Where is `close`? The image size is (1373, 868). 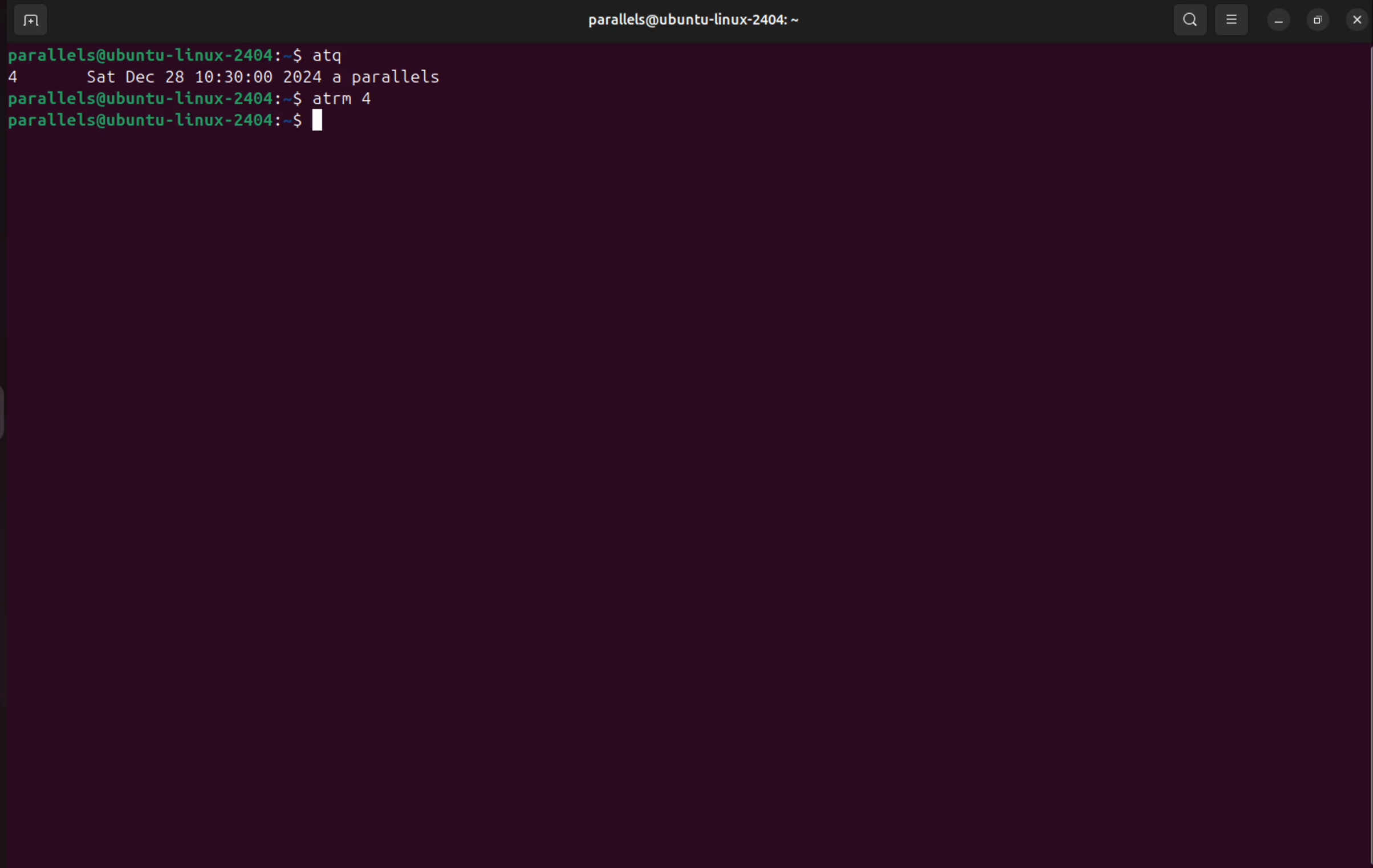
close is located at coordinates (1355, 17).